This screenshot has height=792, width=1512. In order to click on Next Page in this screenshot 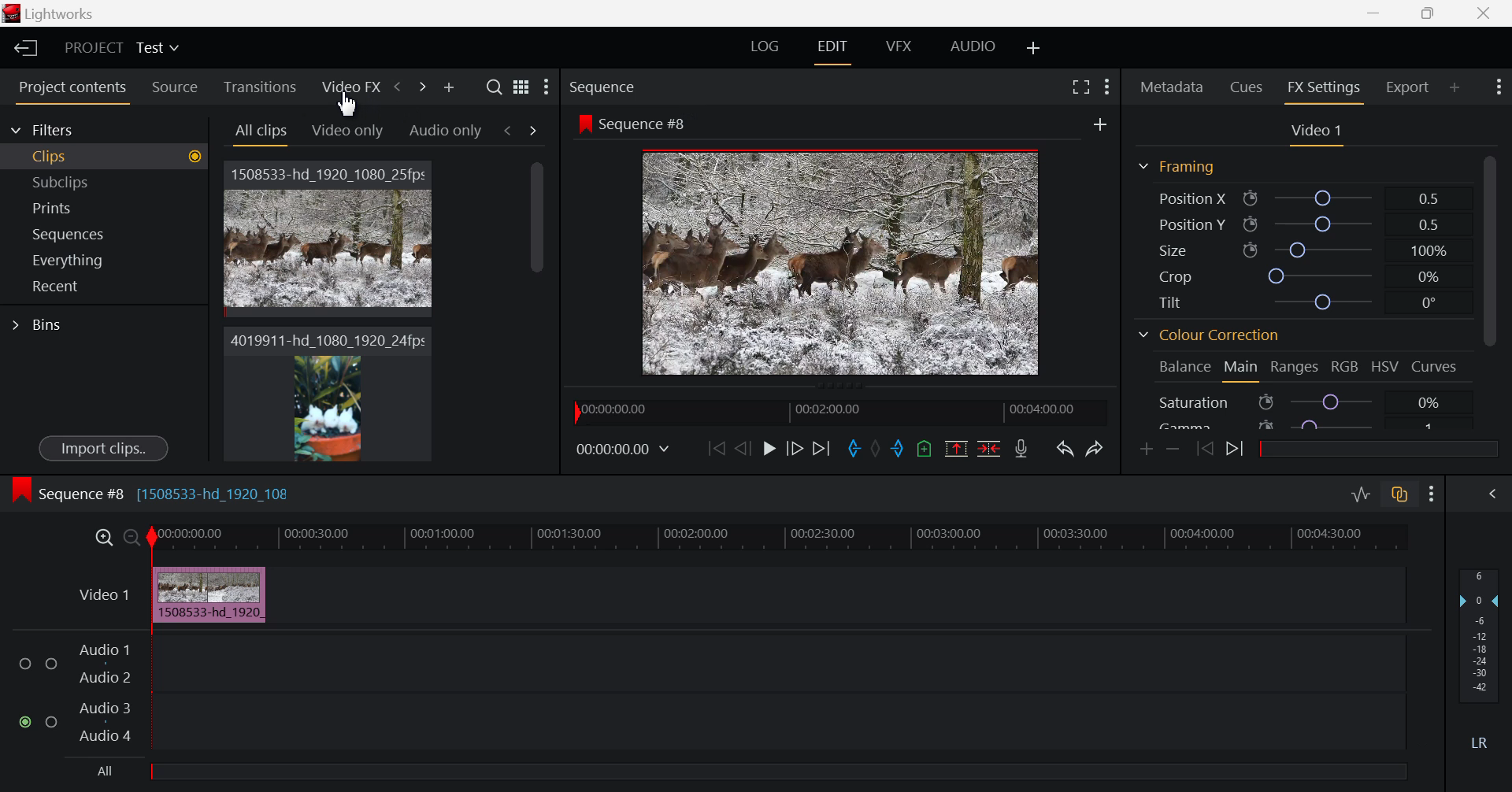, I will do `click(531, 129)`.